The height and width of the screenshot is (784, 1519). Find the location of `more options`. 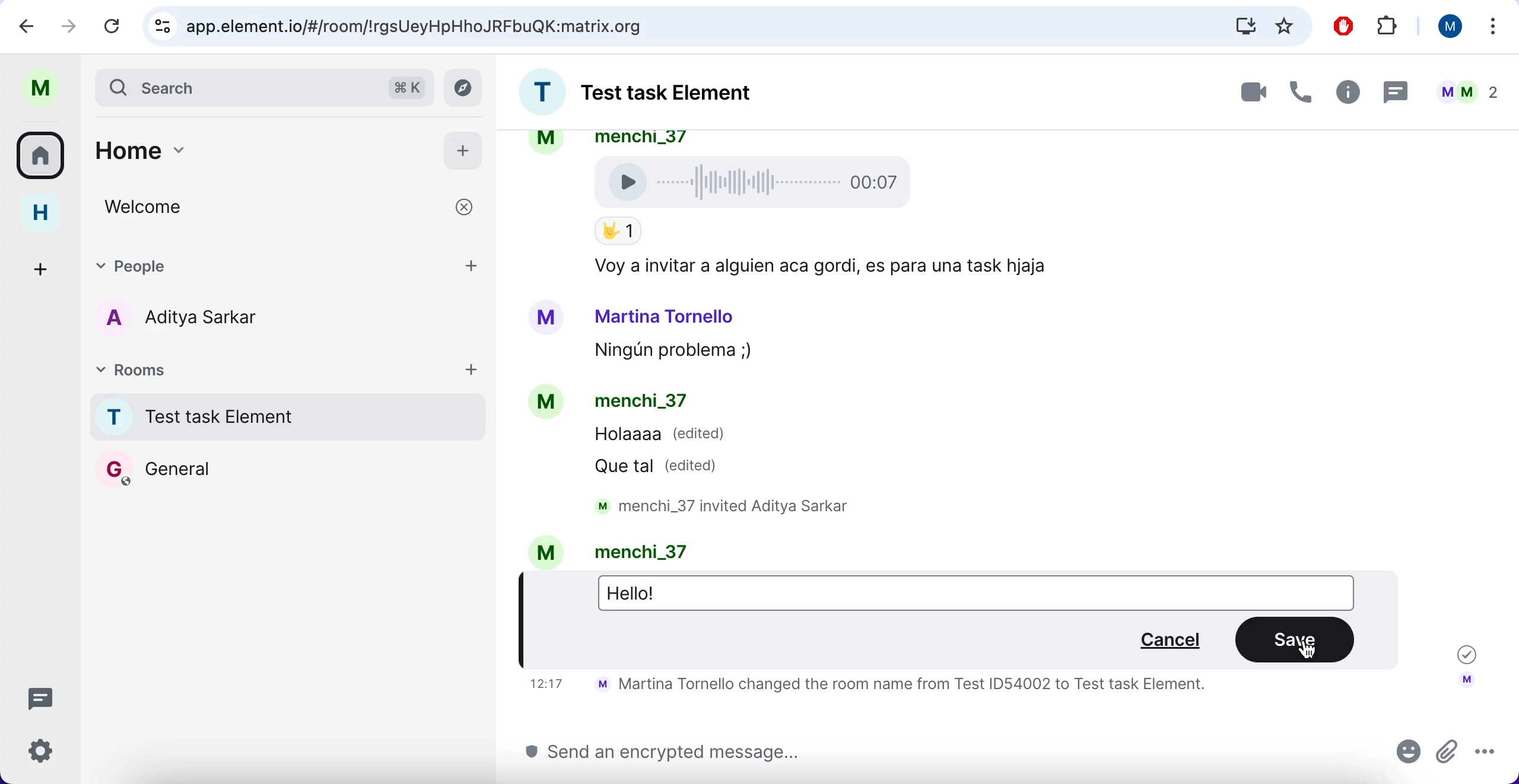

more options is located at coordinates (1486, 756).